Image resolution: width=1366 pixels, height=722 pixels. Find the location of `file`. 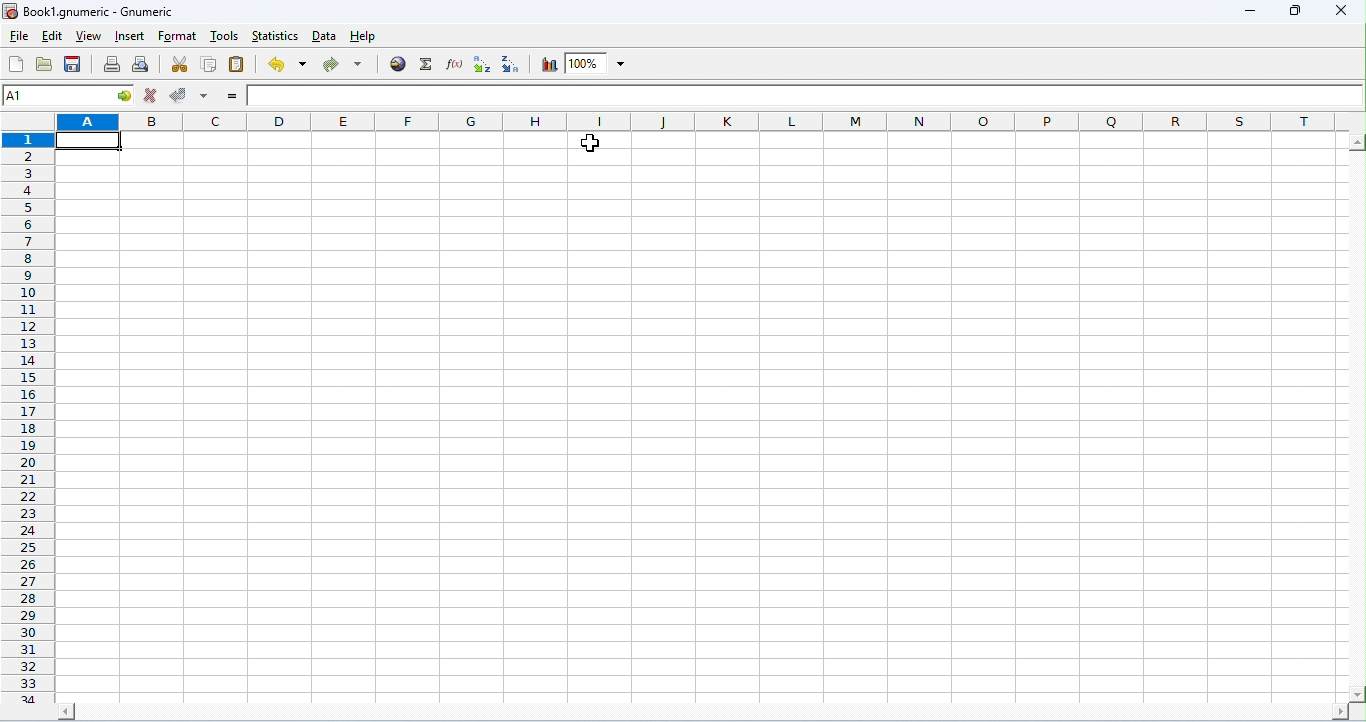

file is located at coordinates (20, 39).